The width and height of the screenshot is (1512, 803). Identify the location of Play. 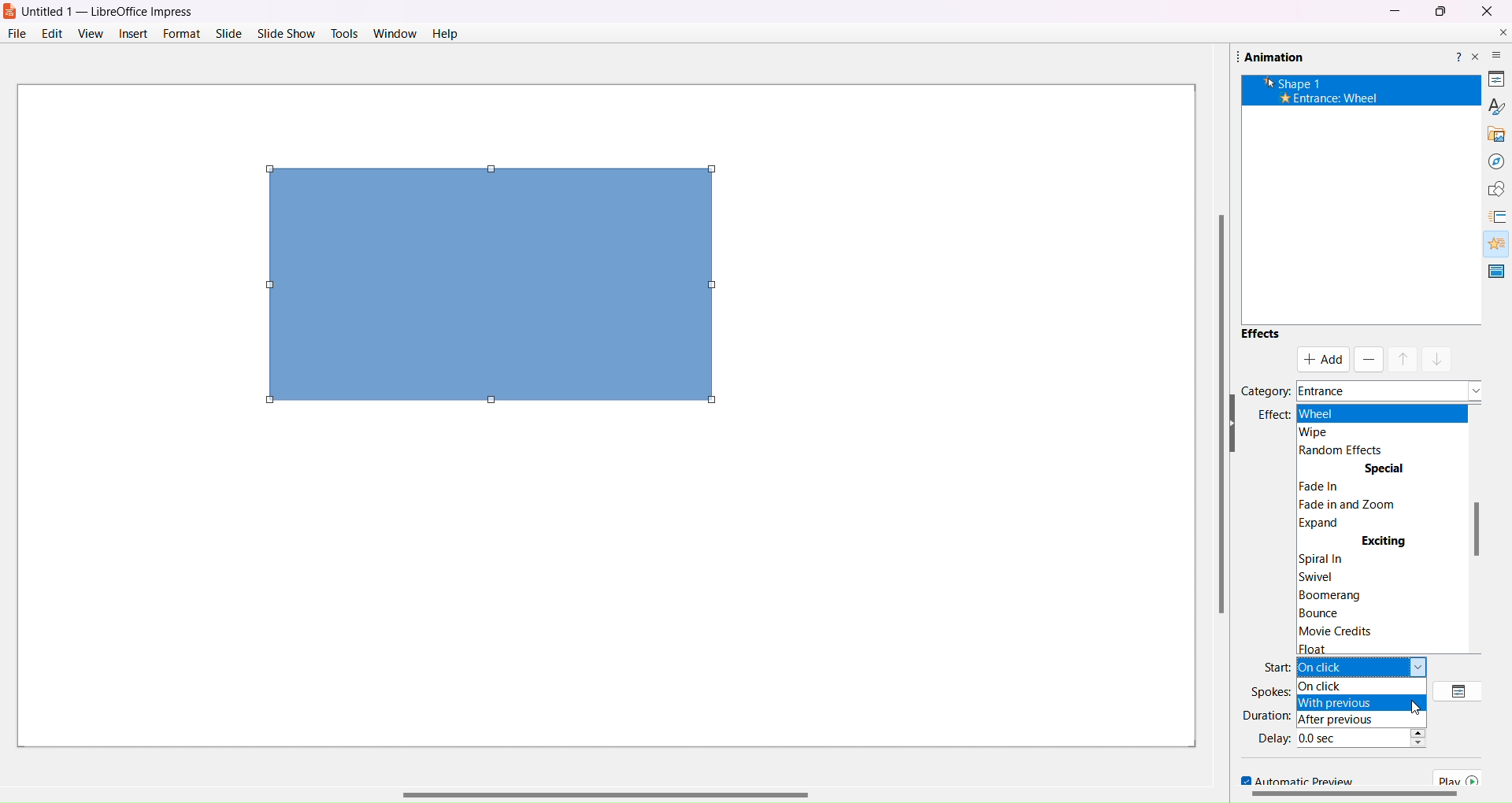
(1462, 778).